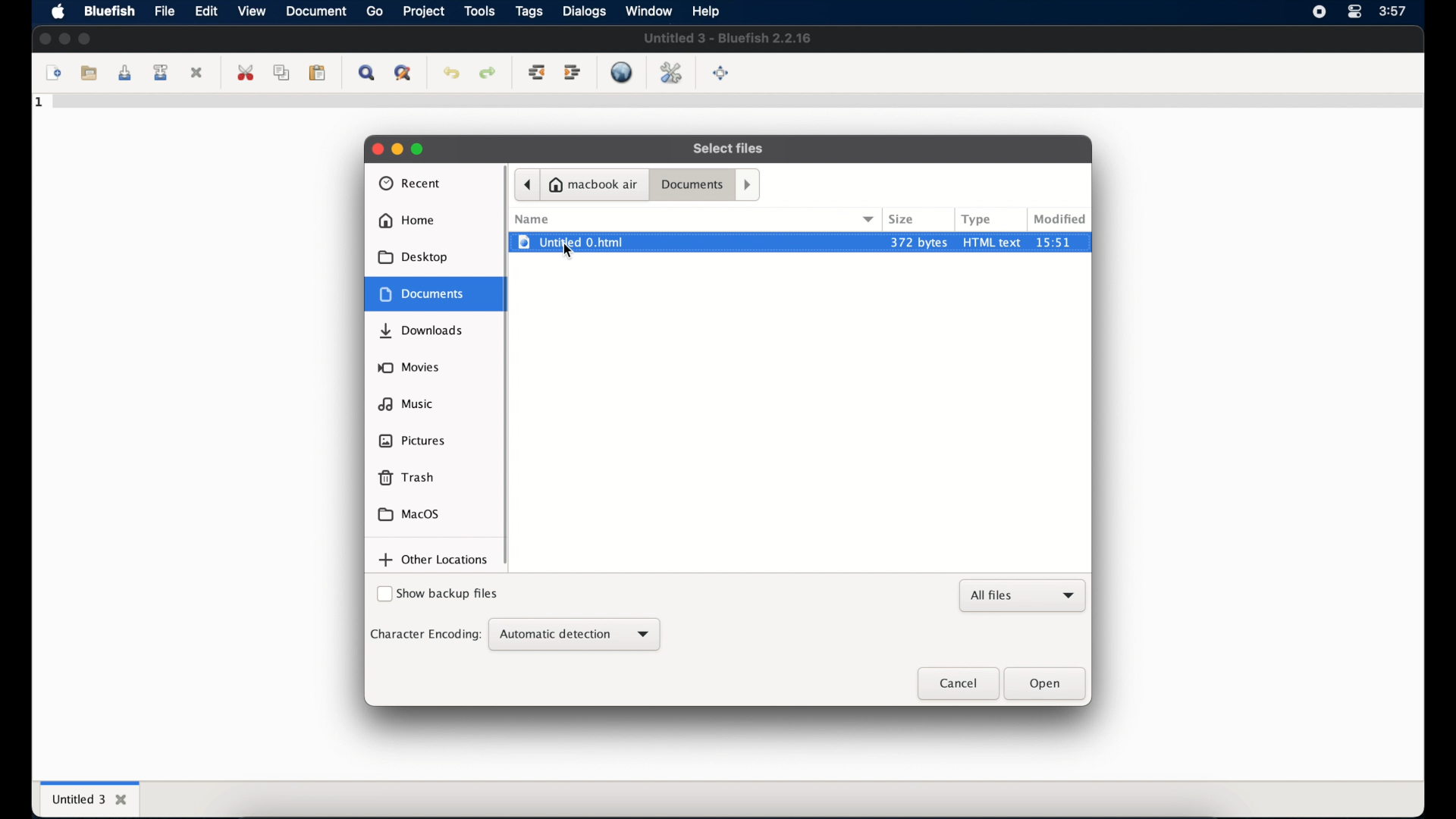 The height and width of the screenshot is (819, 1456). I want to click on MacBook Air, so click(595, 184).